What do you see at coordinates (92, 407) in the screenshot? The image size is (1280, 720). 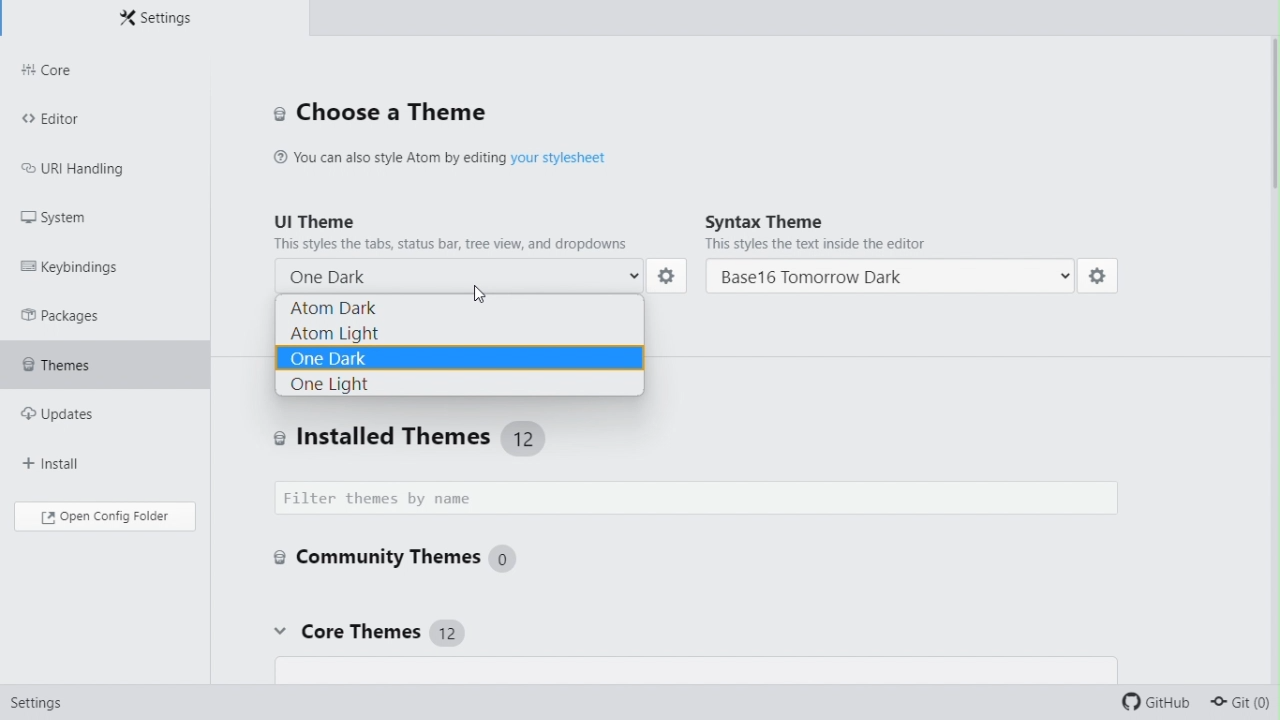 I see `updates` at bounding box center [92, 407].